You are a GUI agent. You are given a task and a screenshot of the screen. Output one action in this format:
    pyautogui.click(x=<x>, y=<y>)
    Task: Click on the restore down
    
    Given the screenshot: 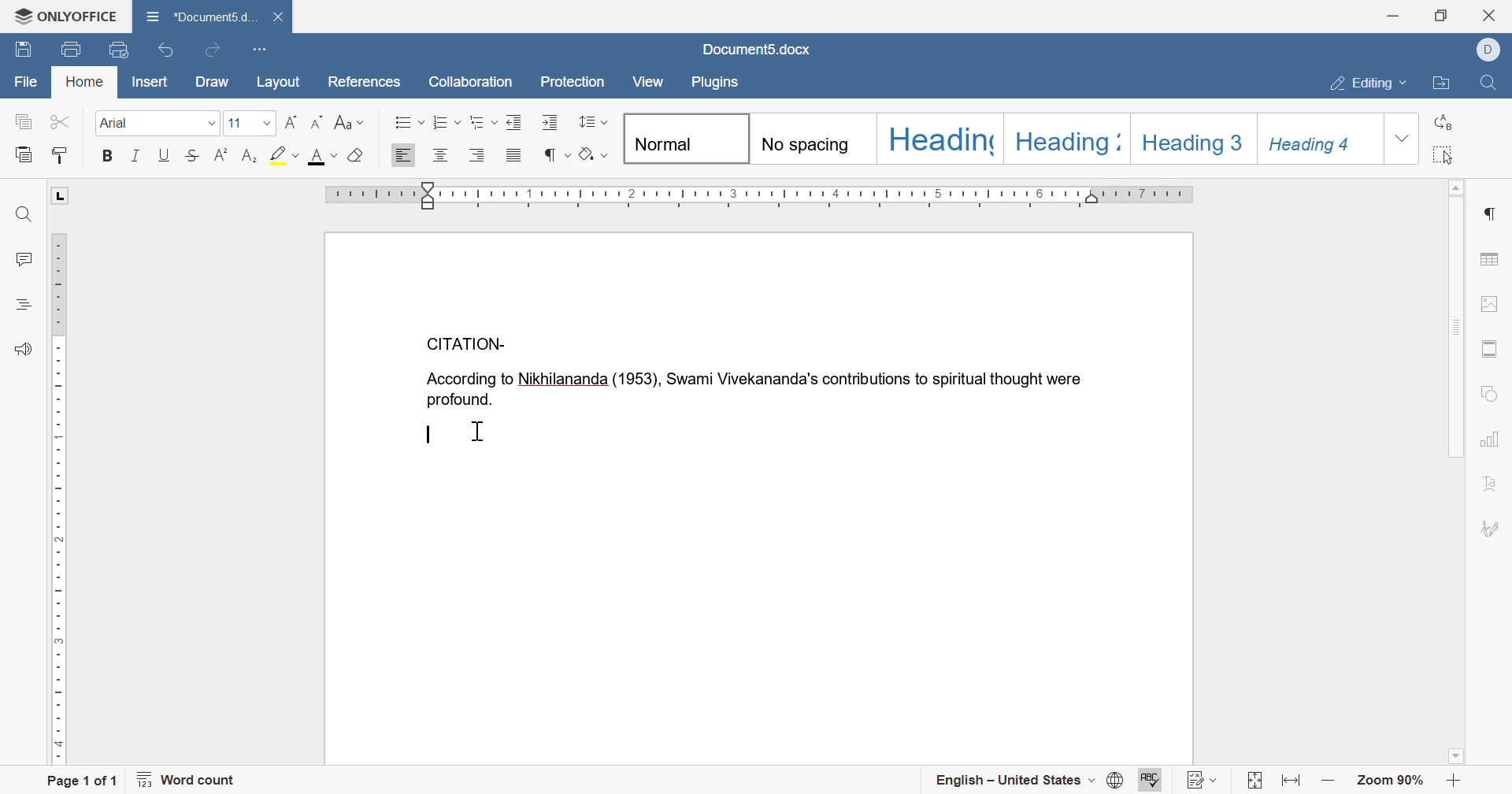 What is the action you would take?
    pyautogui.click(x=1441, y=13)
    